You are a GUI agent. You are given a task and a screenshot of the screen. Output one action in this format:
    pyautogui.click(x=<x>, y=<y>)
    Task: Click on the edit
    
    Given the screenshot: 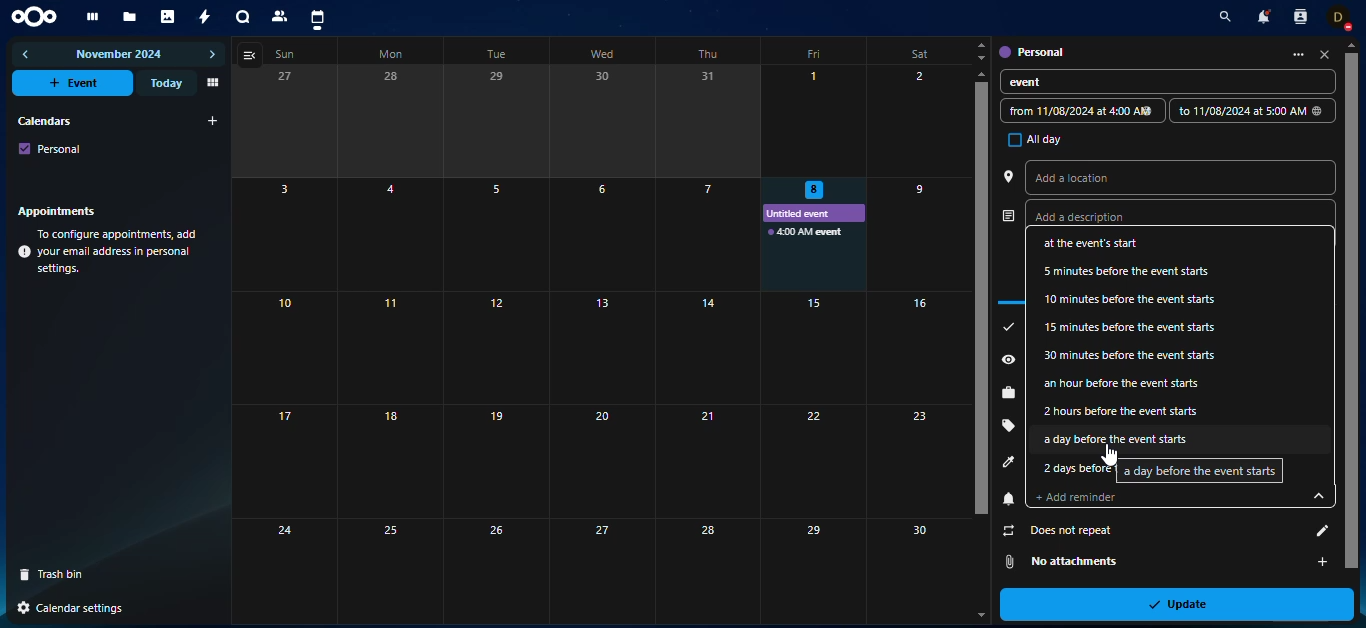 What is the action you would take?
    pyautogui.click(x=1314, y=532)
    